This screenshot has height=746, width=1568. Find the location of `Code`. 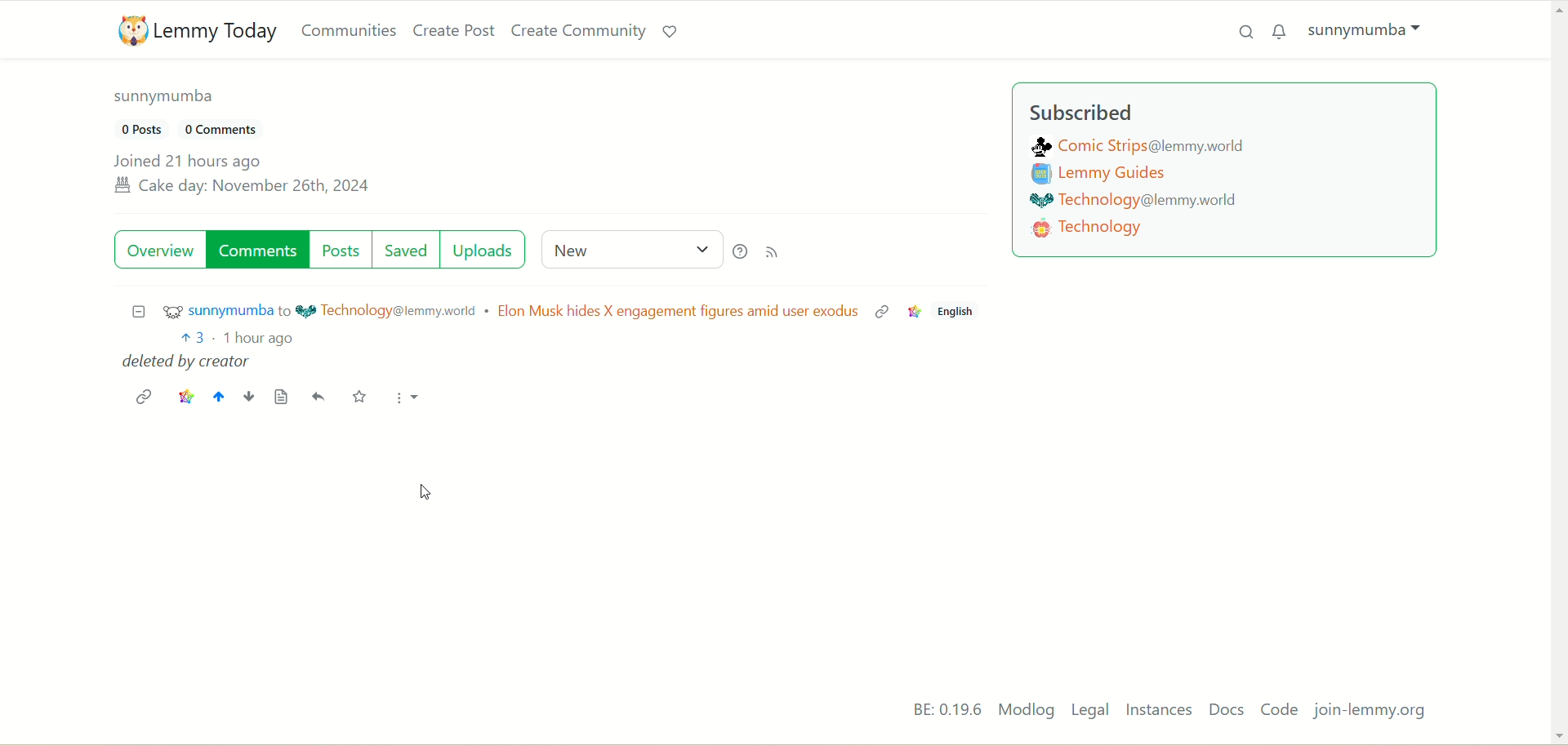

Code is located at coordinates (1281, 709).